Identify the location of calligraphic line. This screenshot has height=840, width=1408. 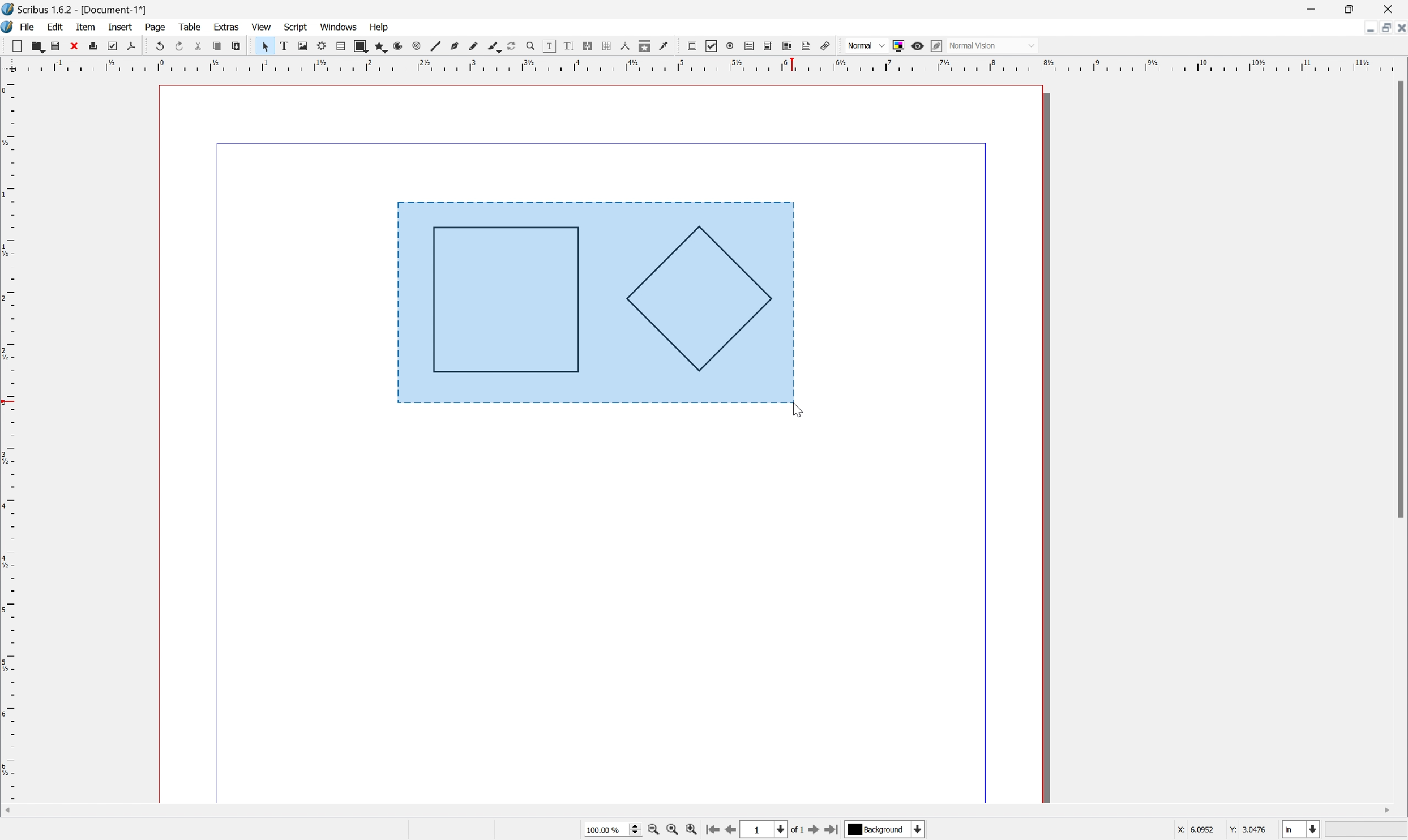
(490, 45).